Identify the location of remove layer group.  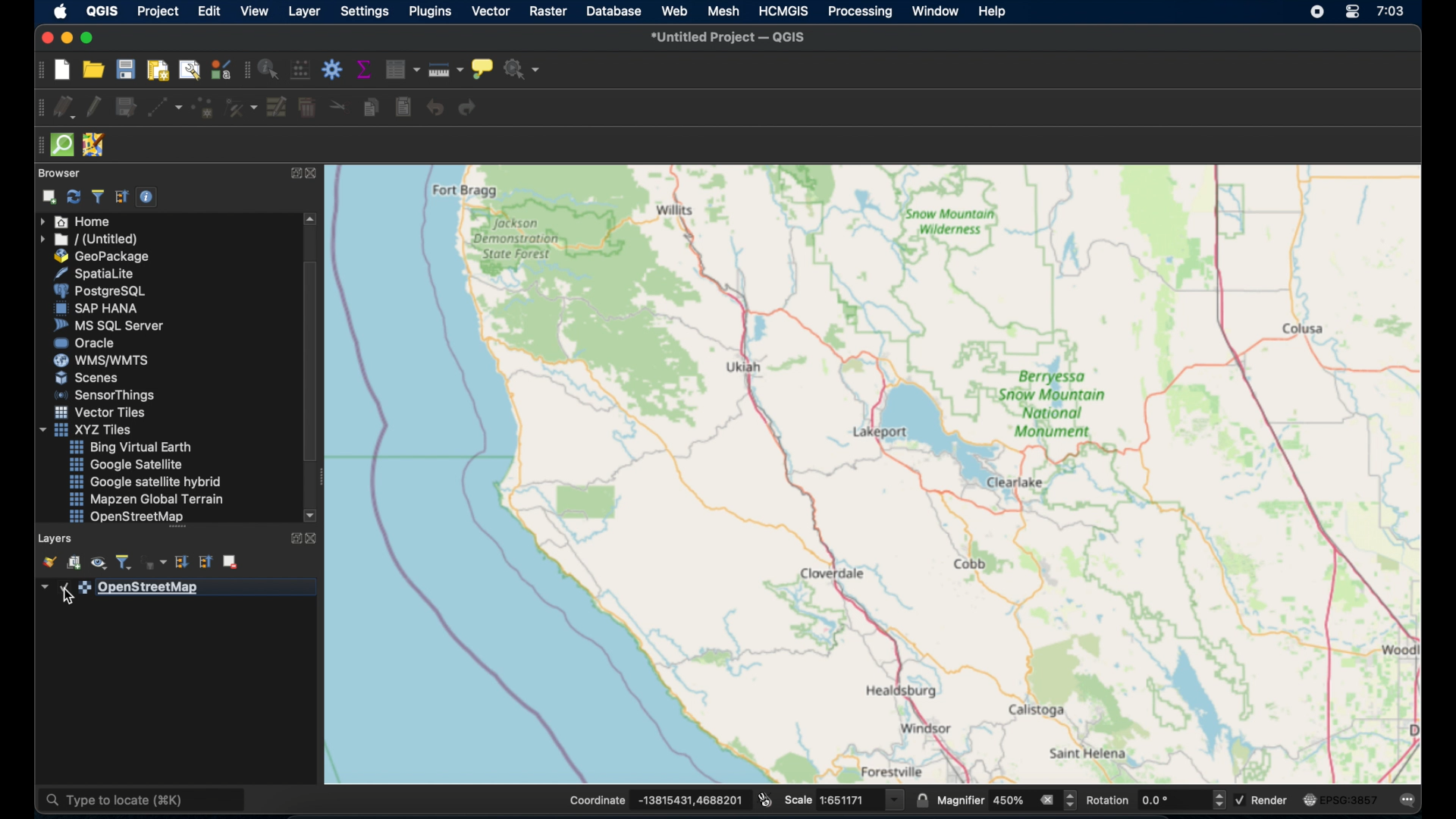
(232, 563).